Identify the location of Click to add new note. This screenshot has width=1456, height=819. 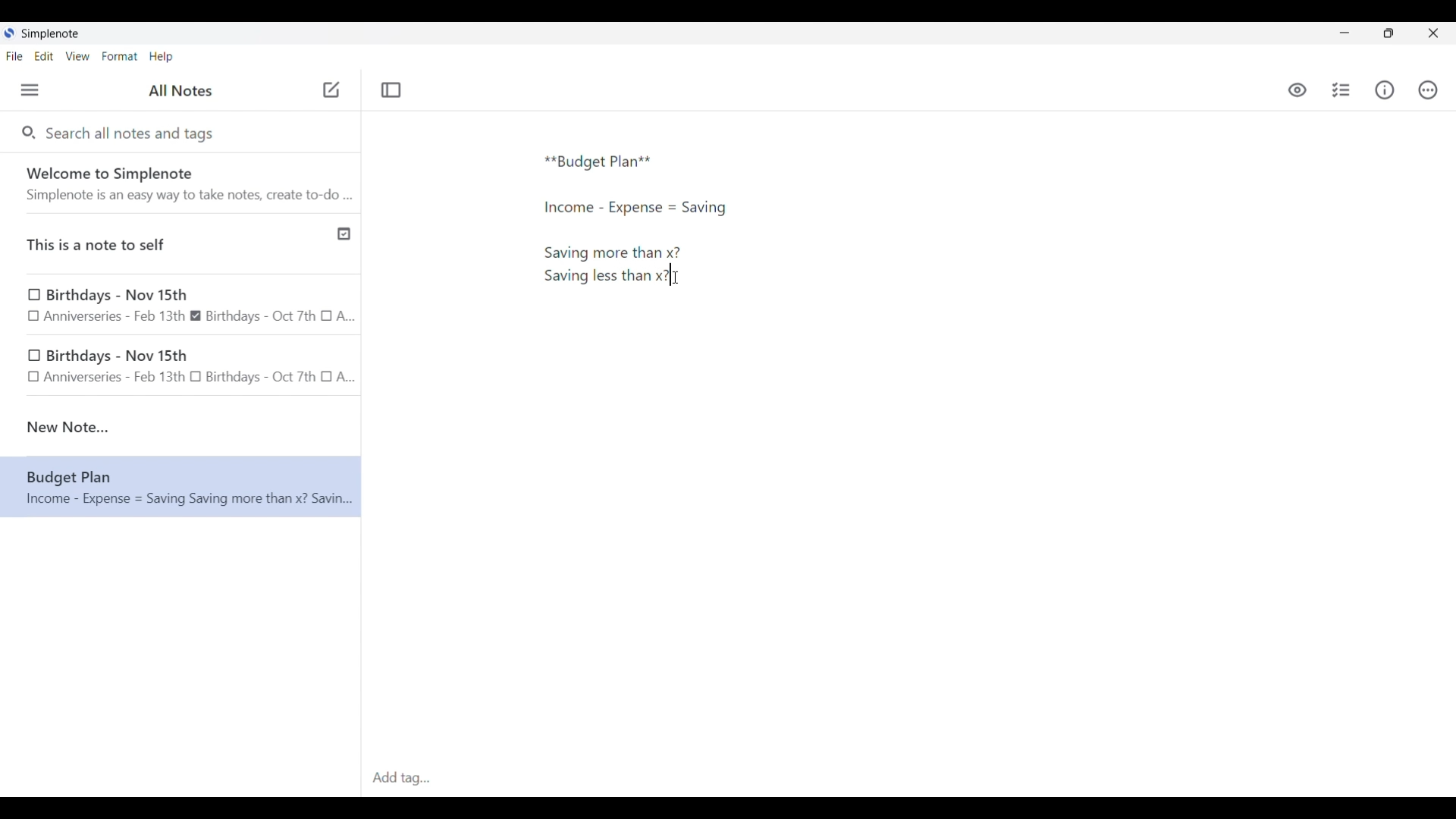
(331, 89).